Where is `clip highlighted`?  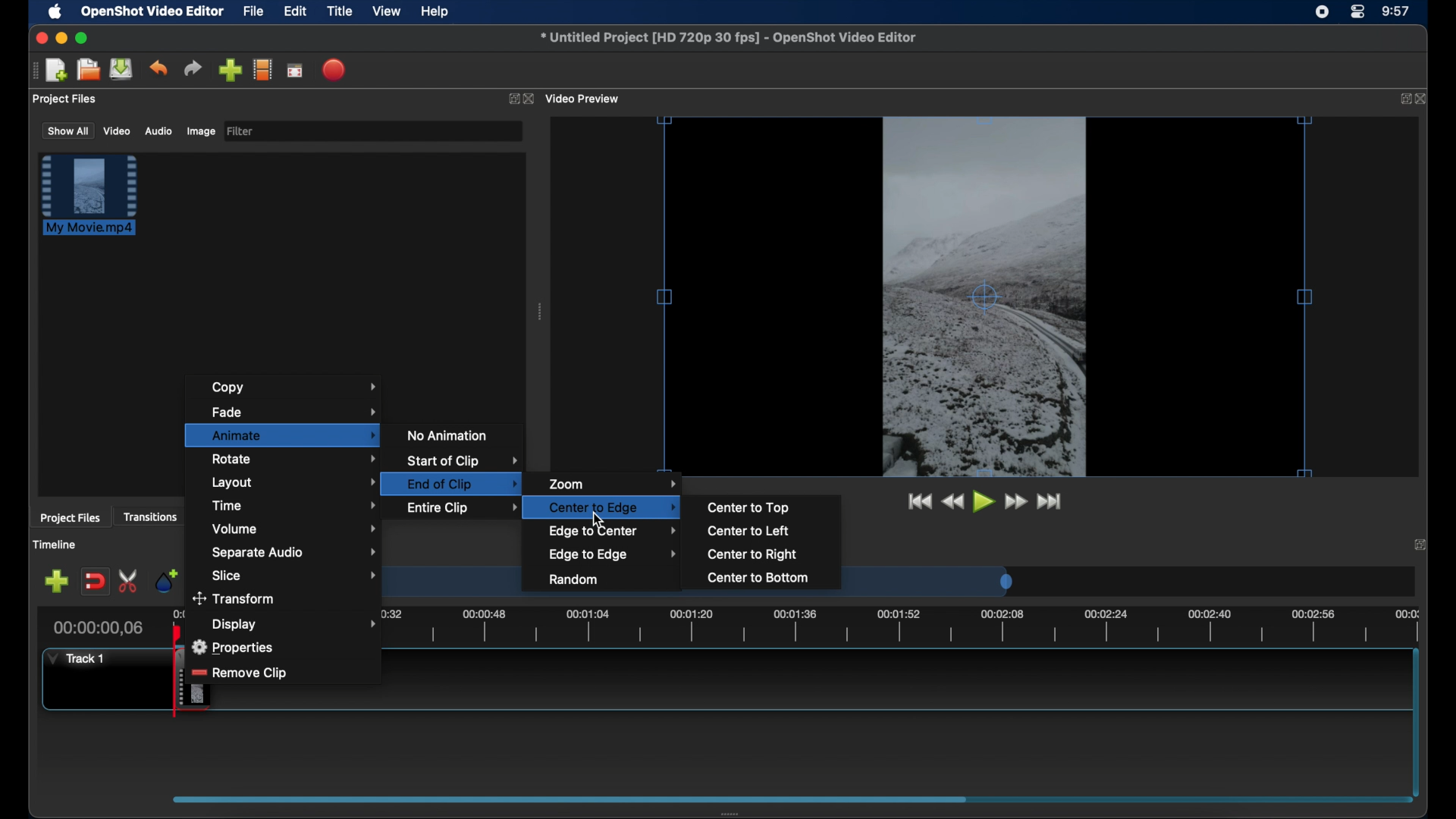
clip highlighted is located at coordinates (96, 202).